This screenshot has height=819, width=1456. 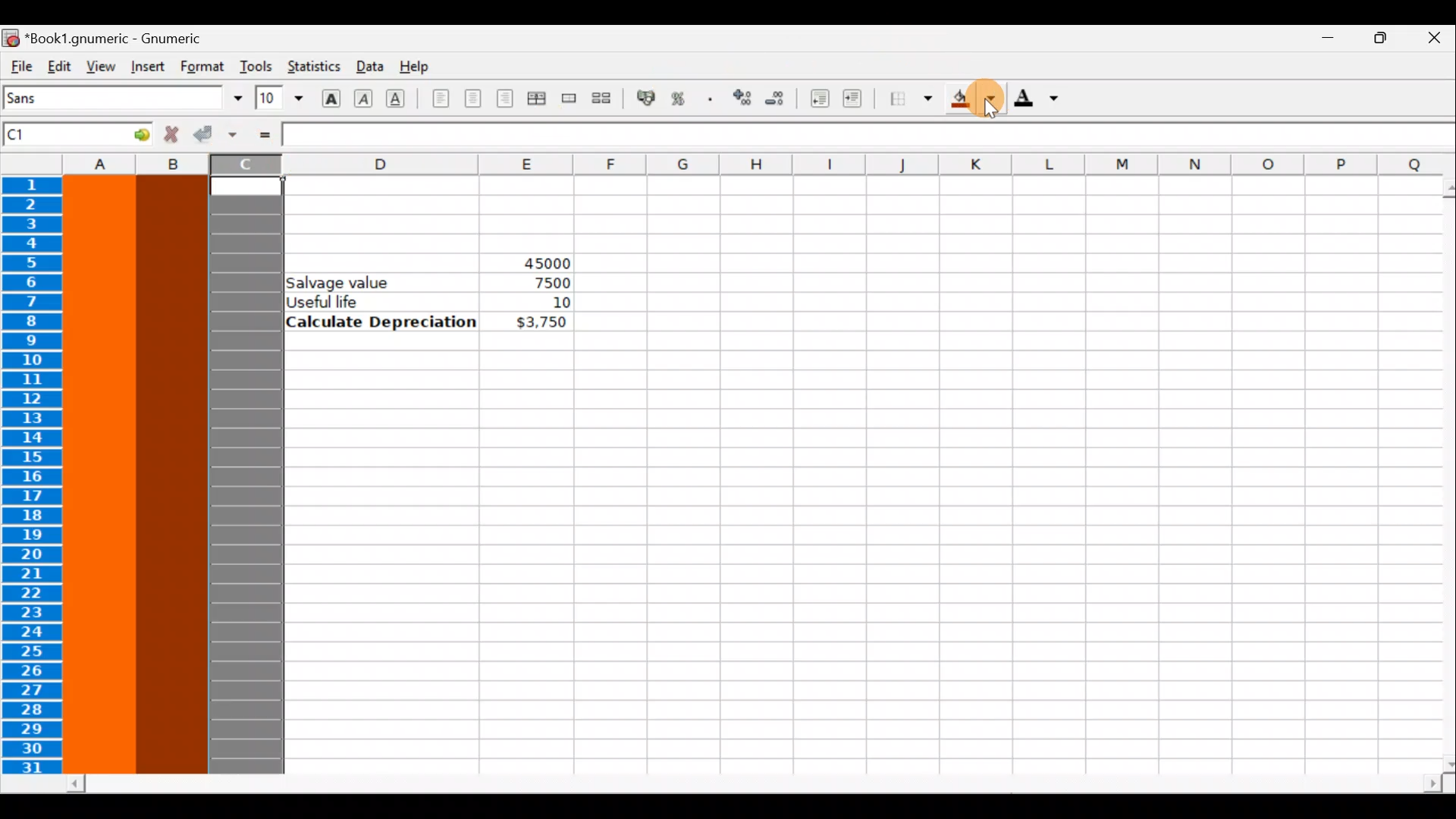 What do you see at coordinates (1041, 99) in the screenshot?
I see `Foreground` at bounding box center [1041, 99].